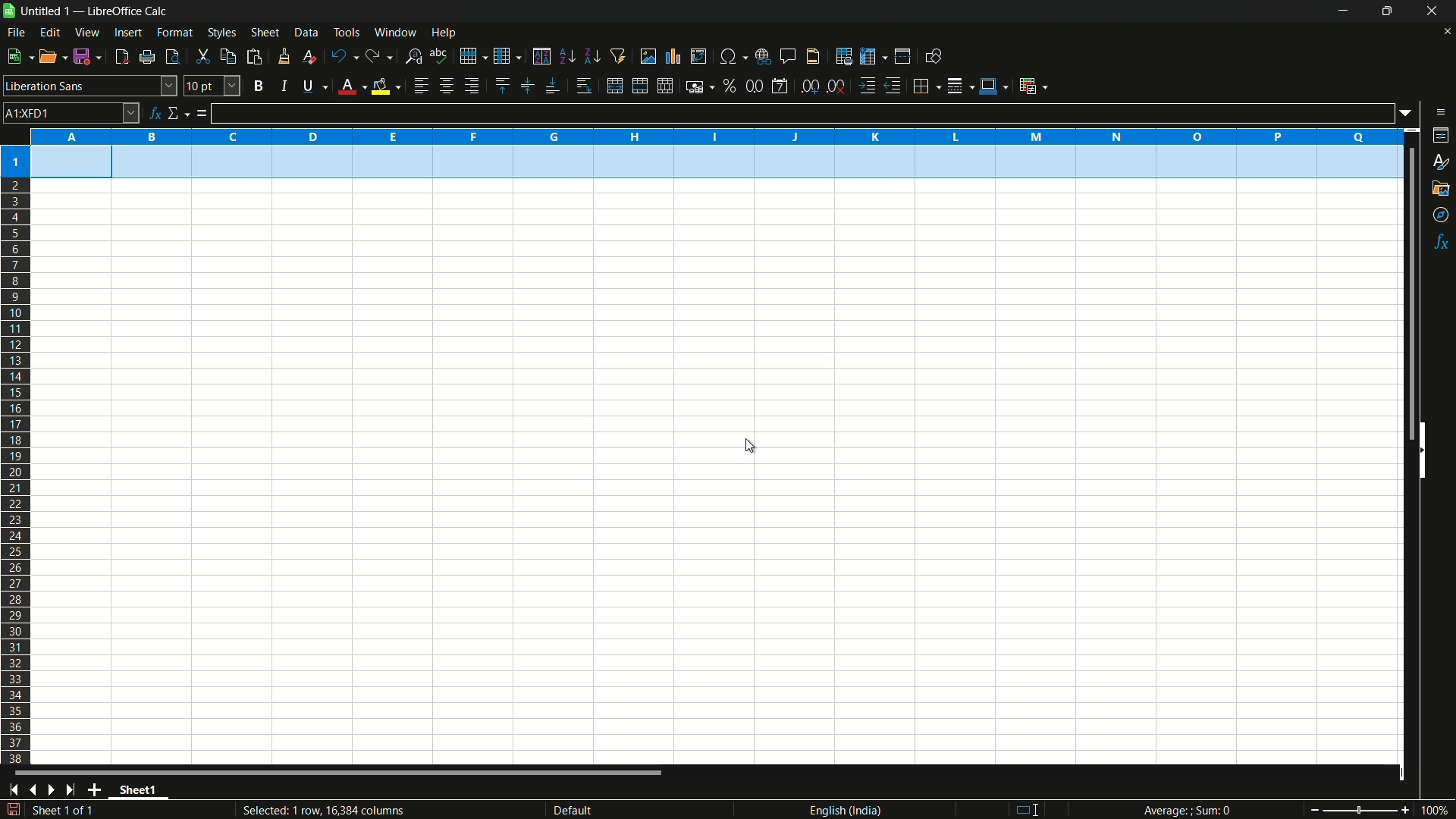 This screenshot has width=1456, height=819. What do you see at coordinates (346, 32) in the screenshot?
I see `tools menu` at bounding box center [346, 32].